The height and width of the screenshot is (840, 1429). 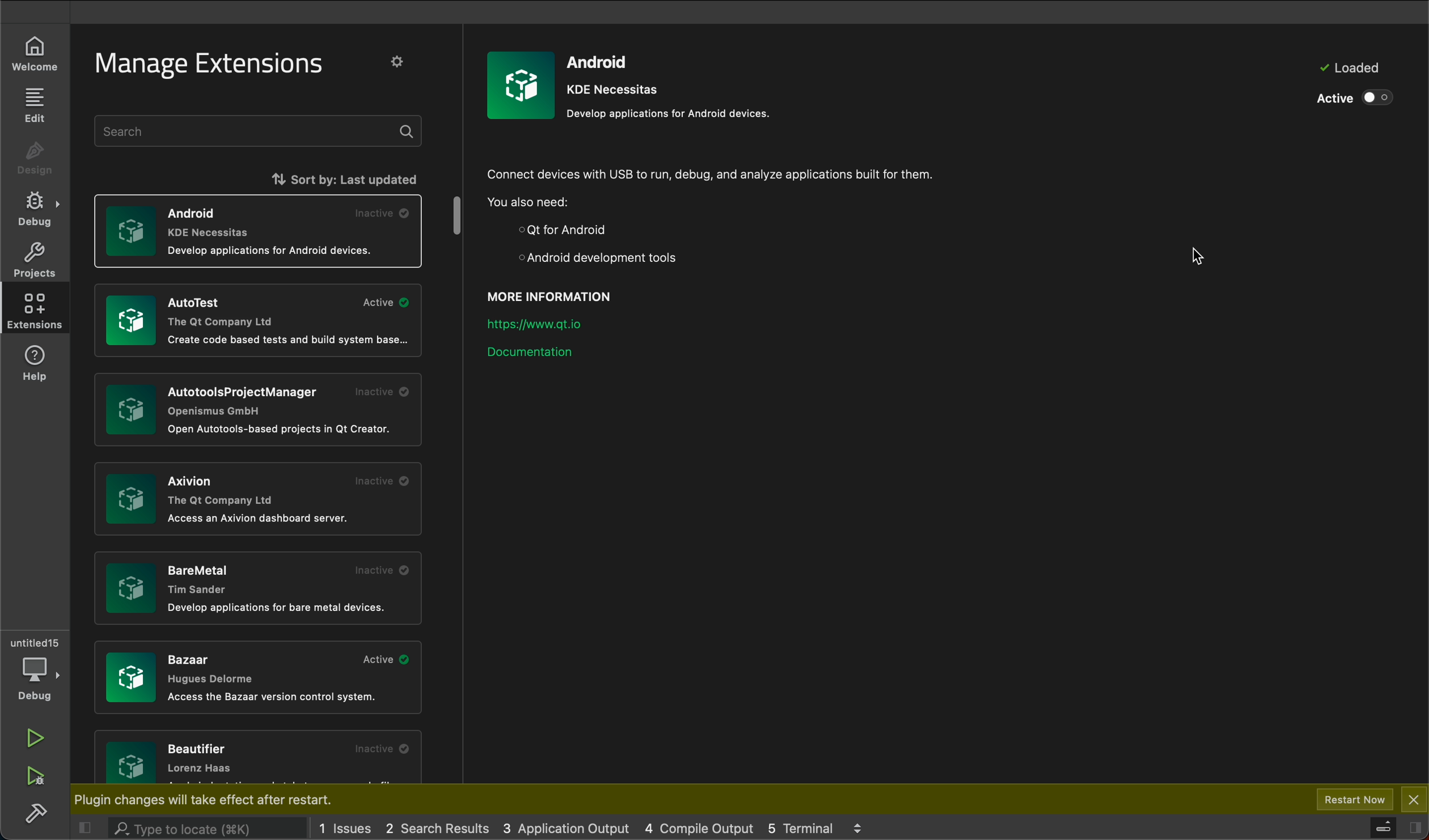 What do you see at coordinates (1383, 825) in the screenshot?
I see `control panel` at bounding box center [1383, 825].